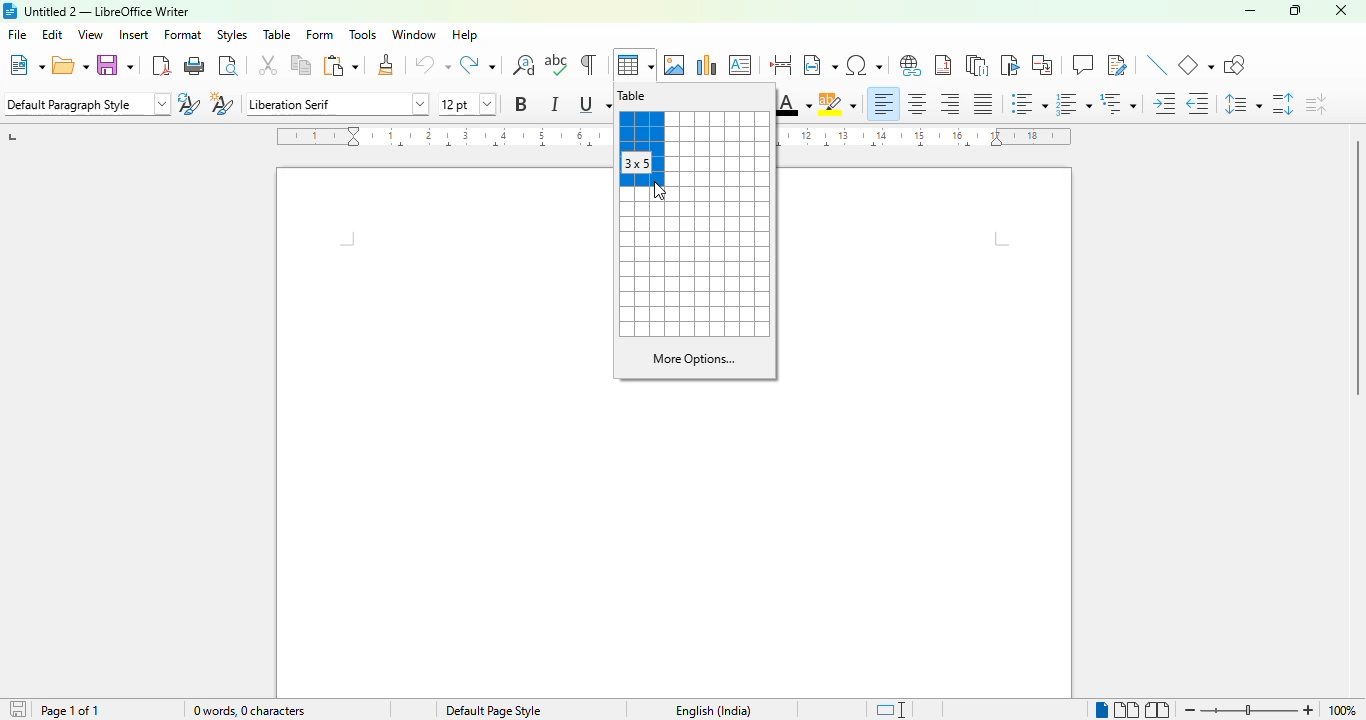  Describe the element at coordinates (1118, 65) in the screenshot. I see `show track changes functions` at that location.